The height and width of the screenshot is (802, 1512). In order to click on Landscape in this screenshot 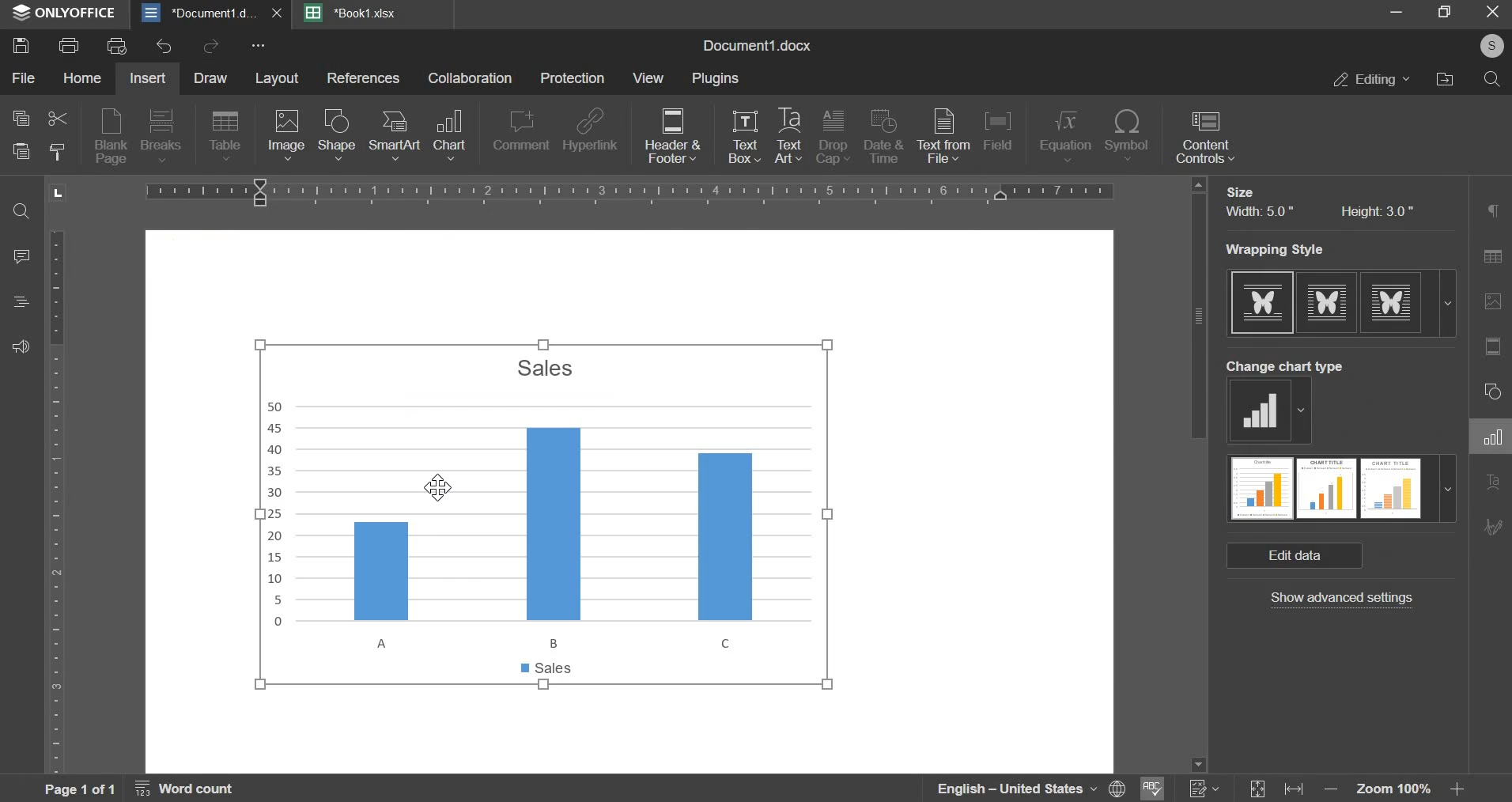, I will do `click(58, 192)`.